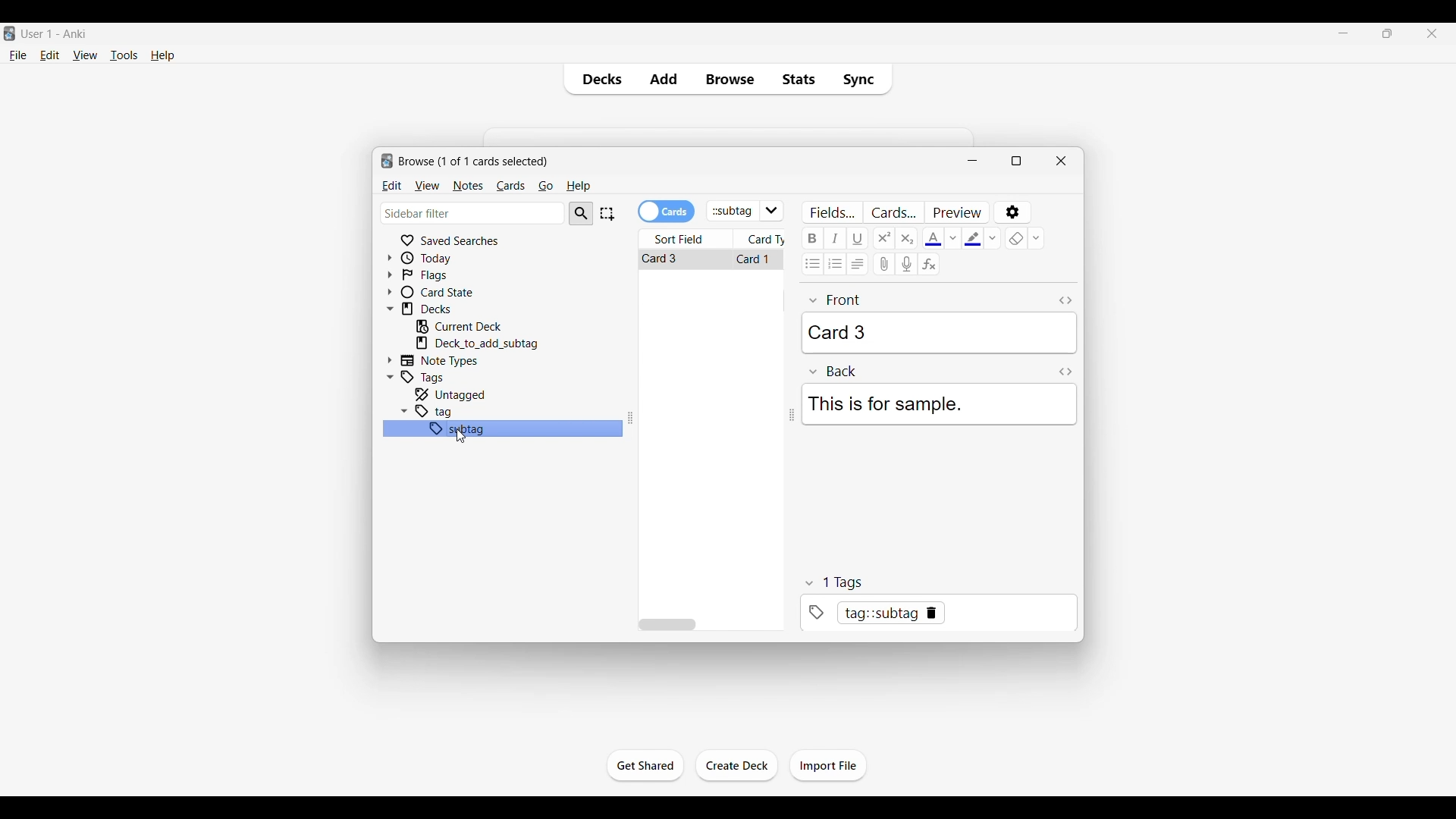 The image size is (1456, 819). Describe the element at coordinates (834, 264) in the screenshot. I see `Ordered list` at that location.